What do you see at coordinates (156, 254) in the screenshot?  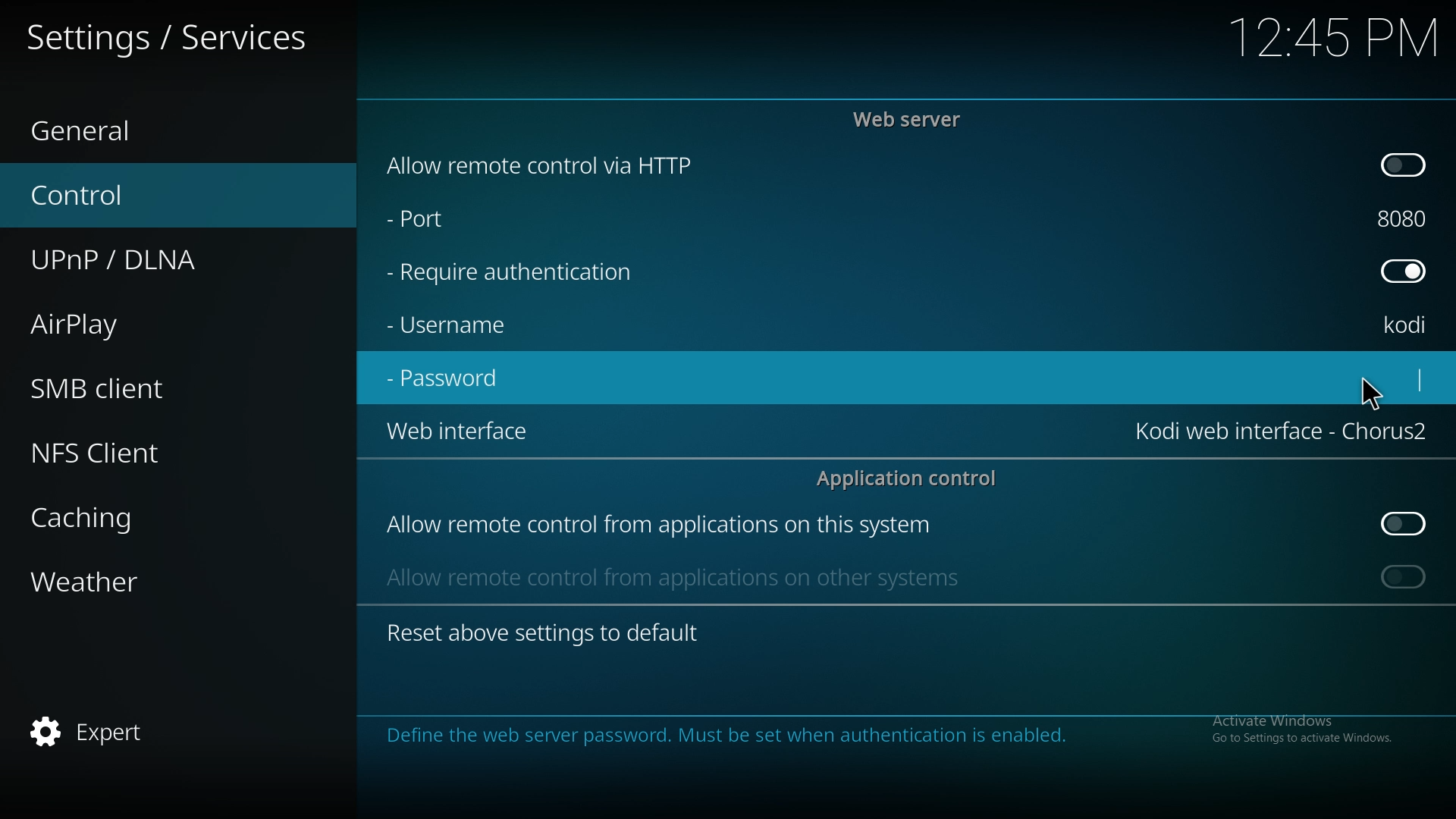 I see `upnp/dlna` at bounding box center [156, 254].